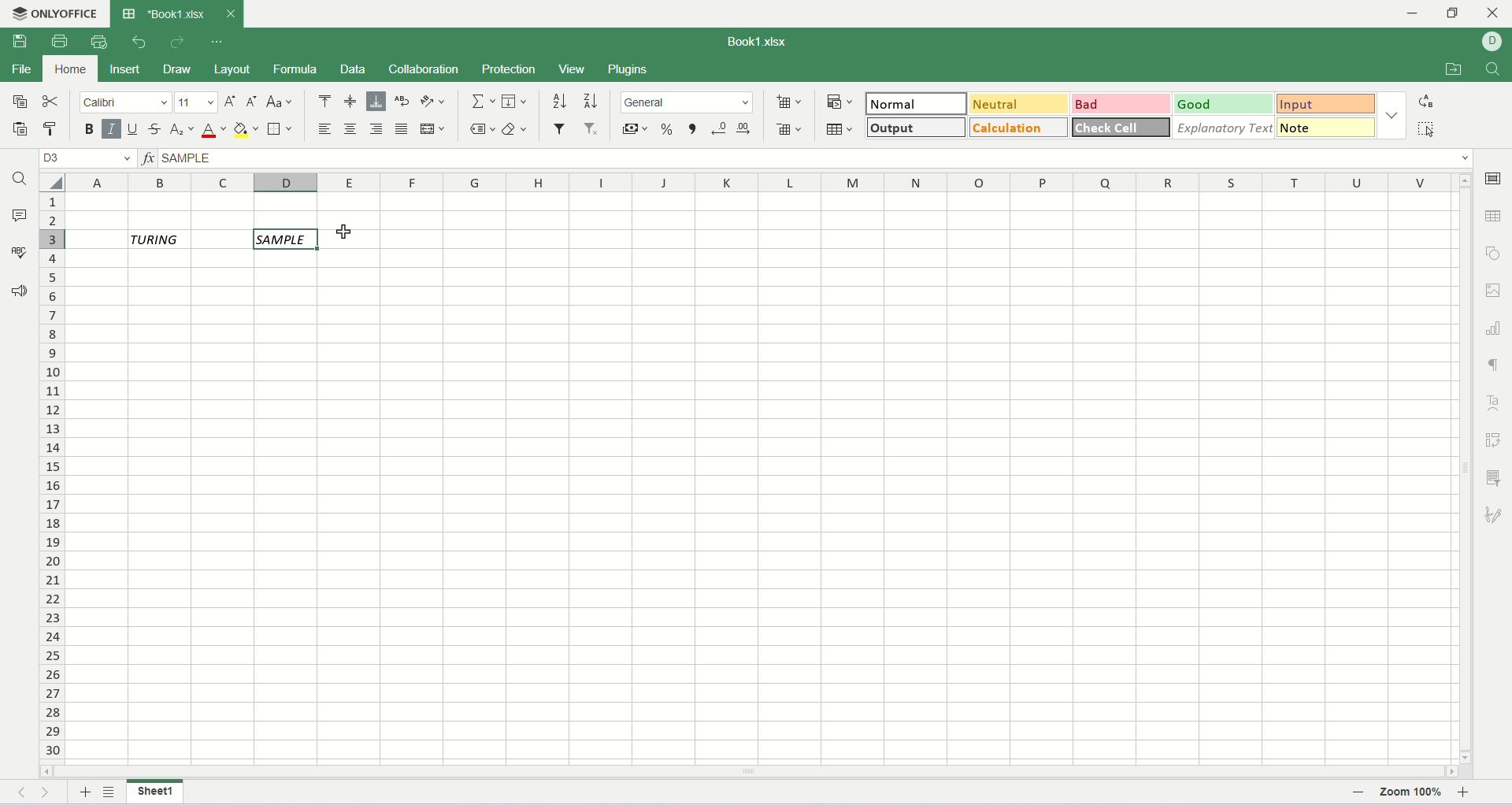 This screenshot has height=805, width=1512. I want to click on output, so click(917, 127).